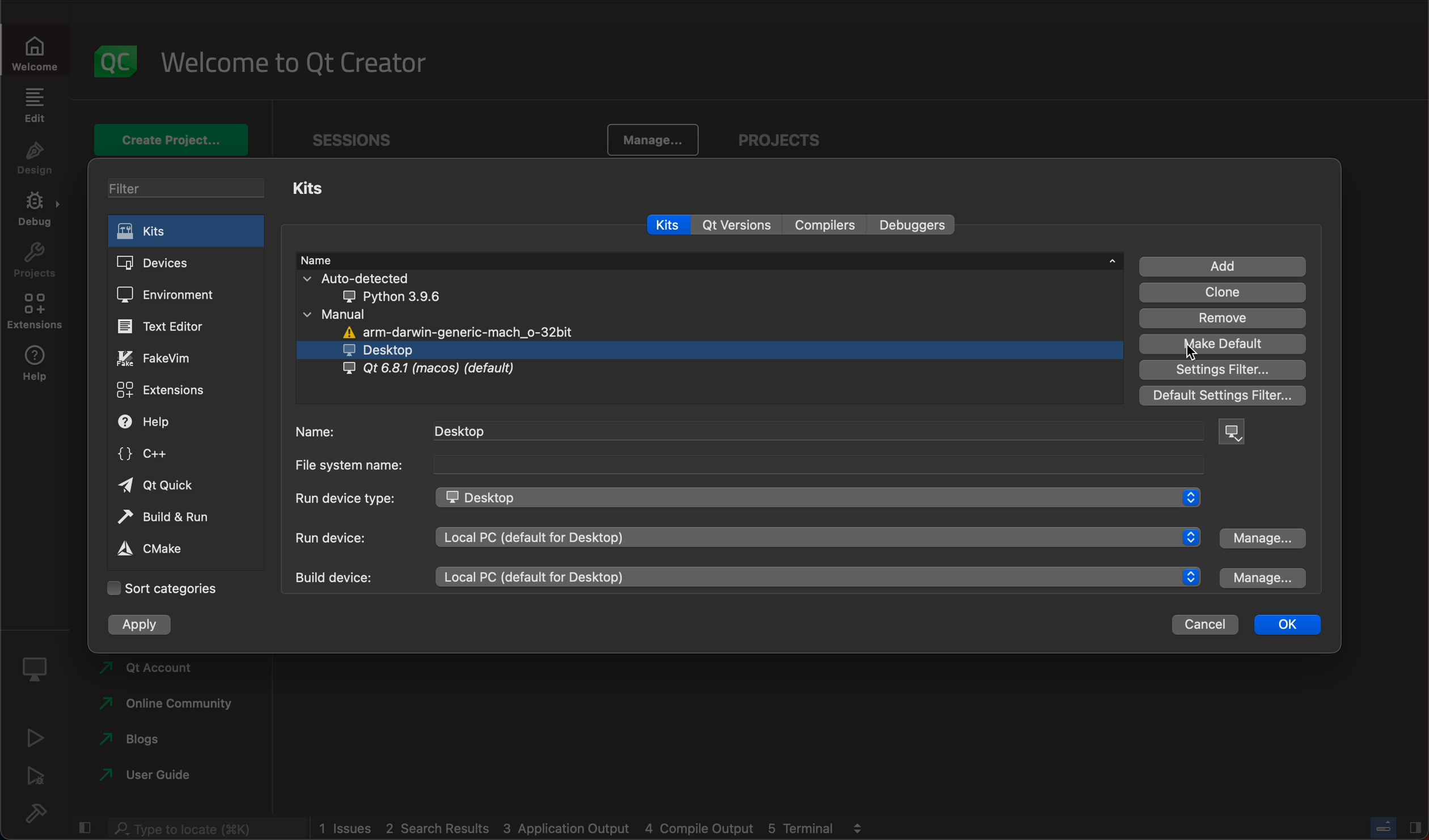  I want to click on user guide, so click(157, 776).